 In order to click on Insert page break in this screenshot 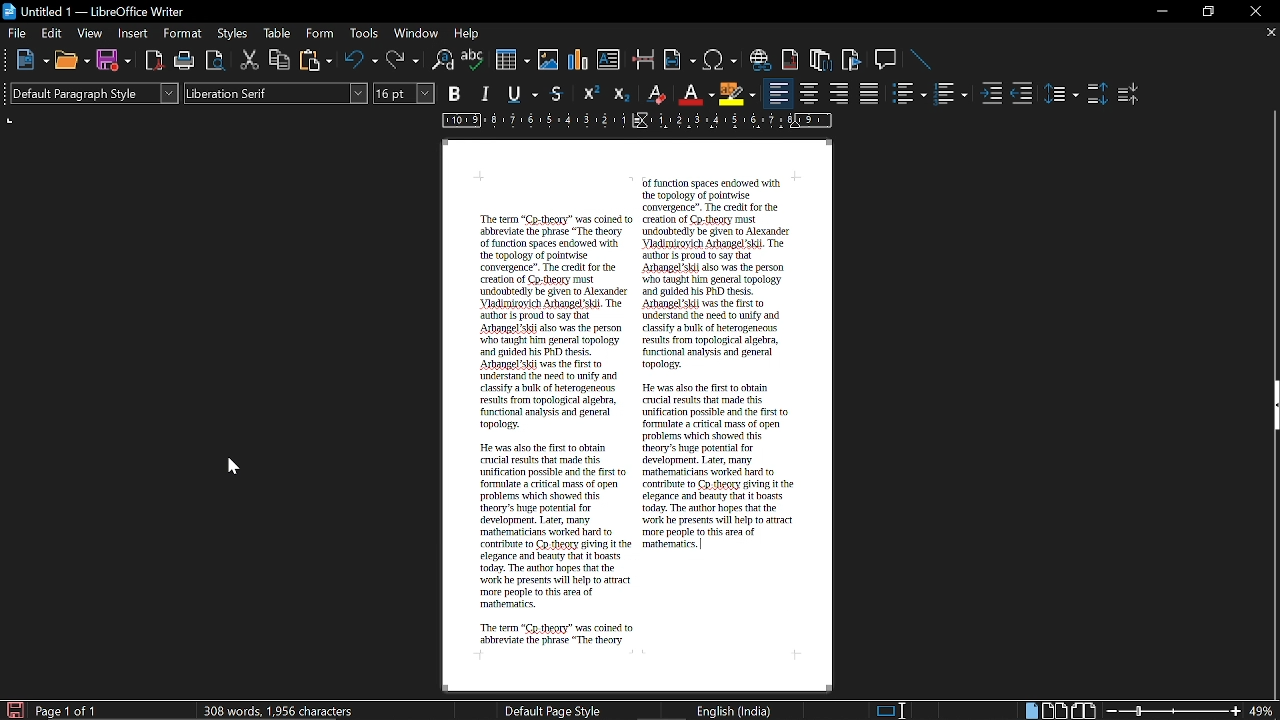, I will do `click(642, 60)`.